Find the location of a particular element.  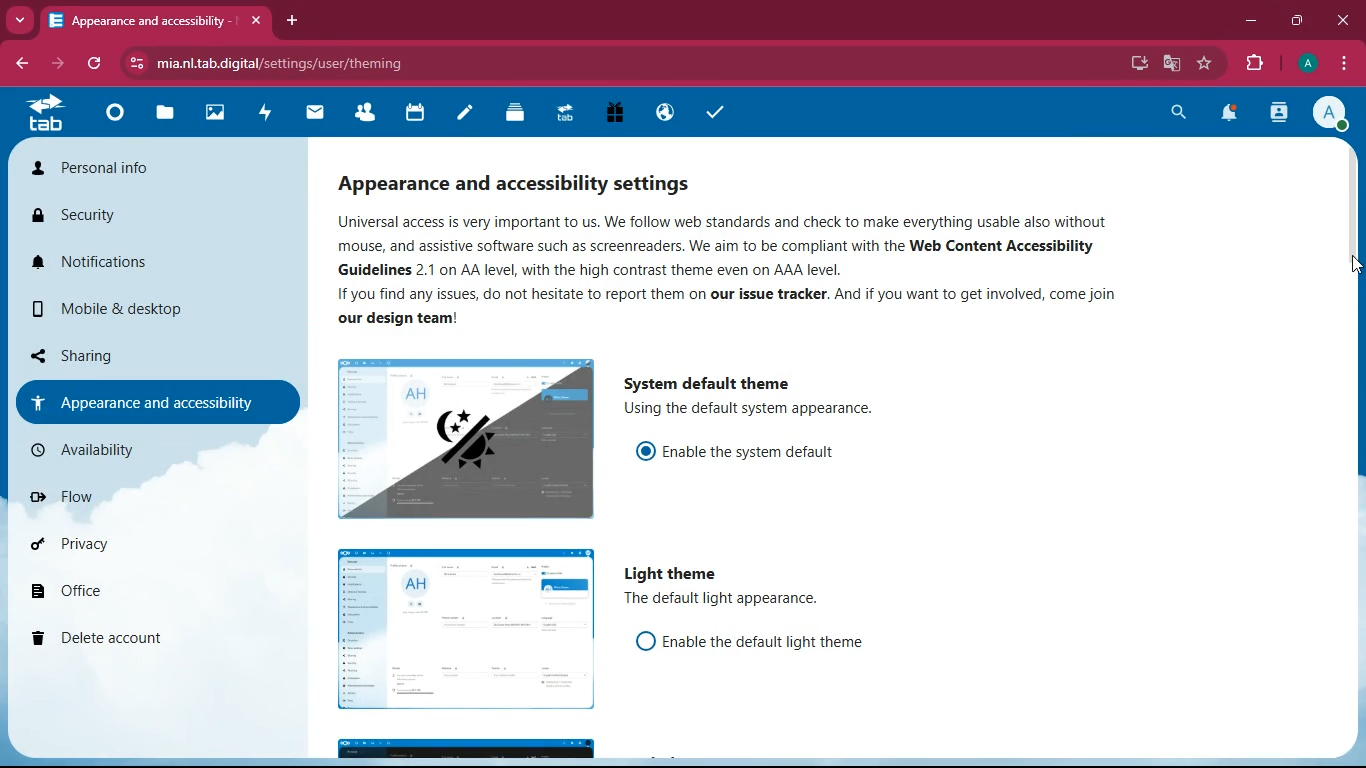

files is located at coordinates (162, 116).